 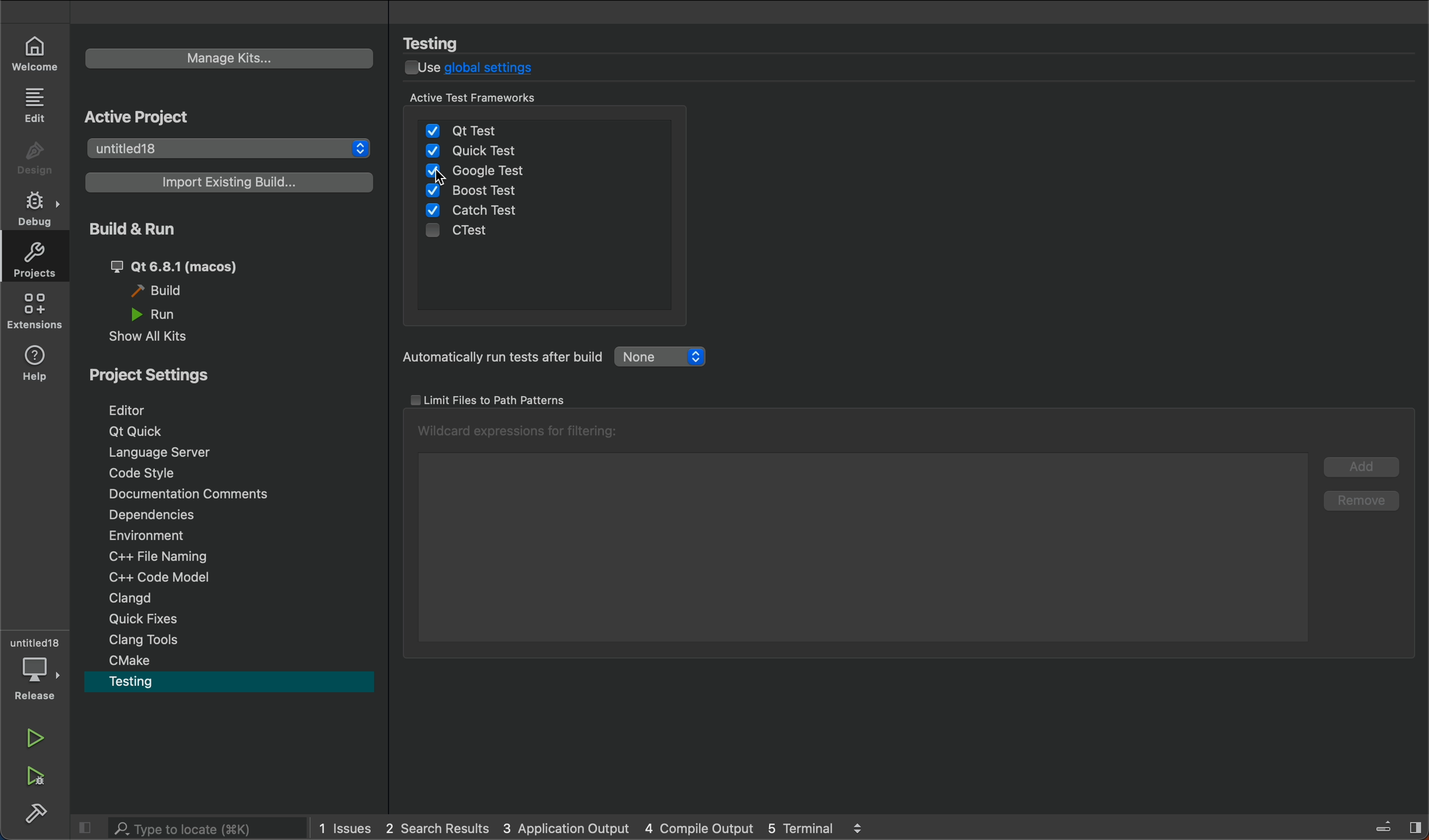 I want to click on cmake, so click(x=230, y=661).